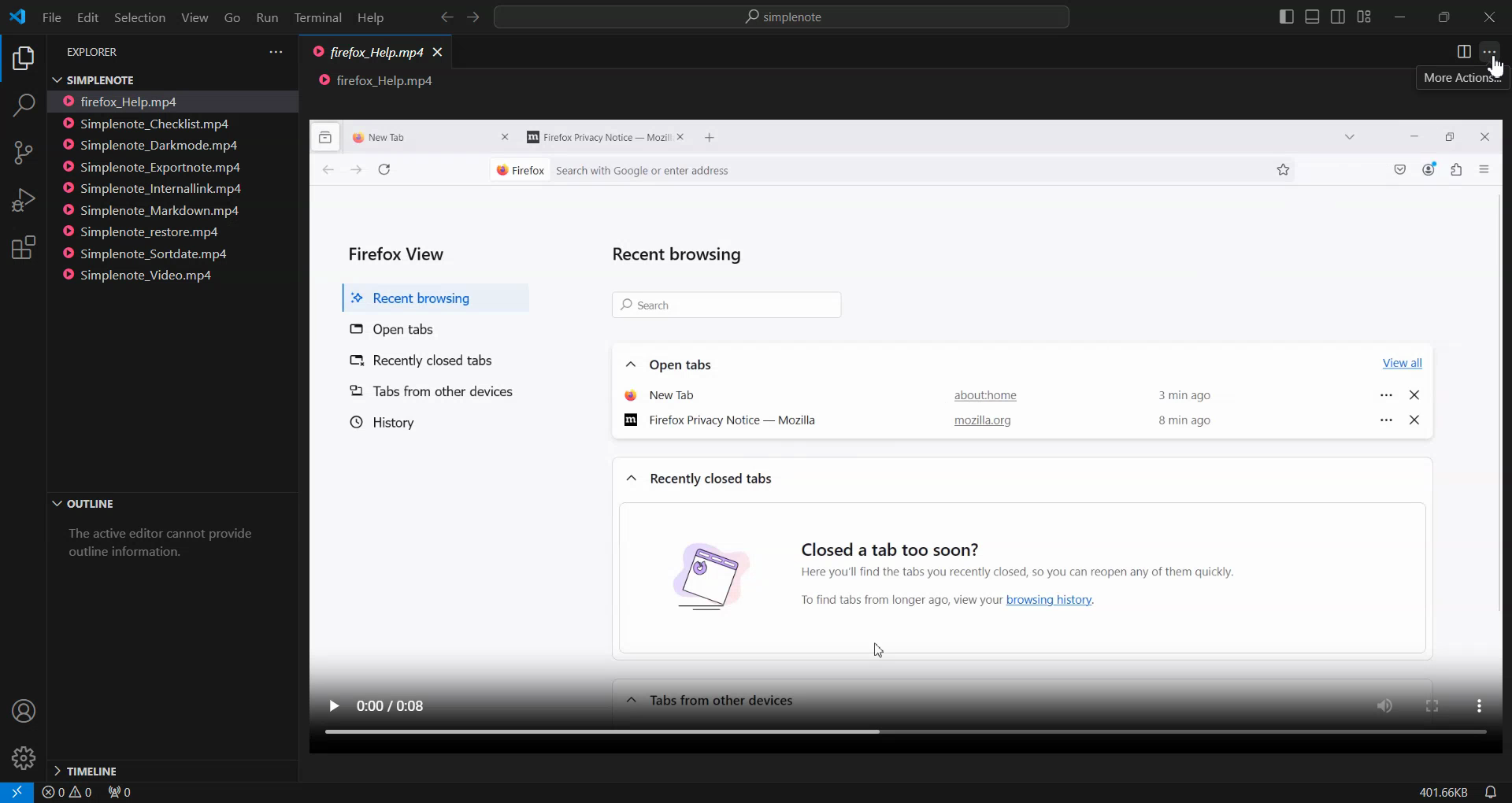  What do you see at coordinates (321, 172) in the screenshot?
I see `go backward one page` at bounding box center [321, 172].